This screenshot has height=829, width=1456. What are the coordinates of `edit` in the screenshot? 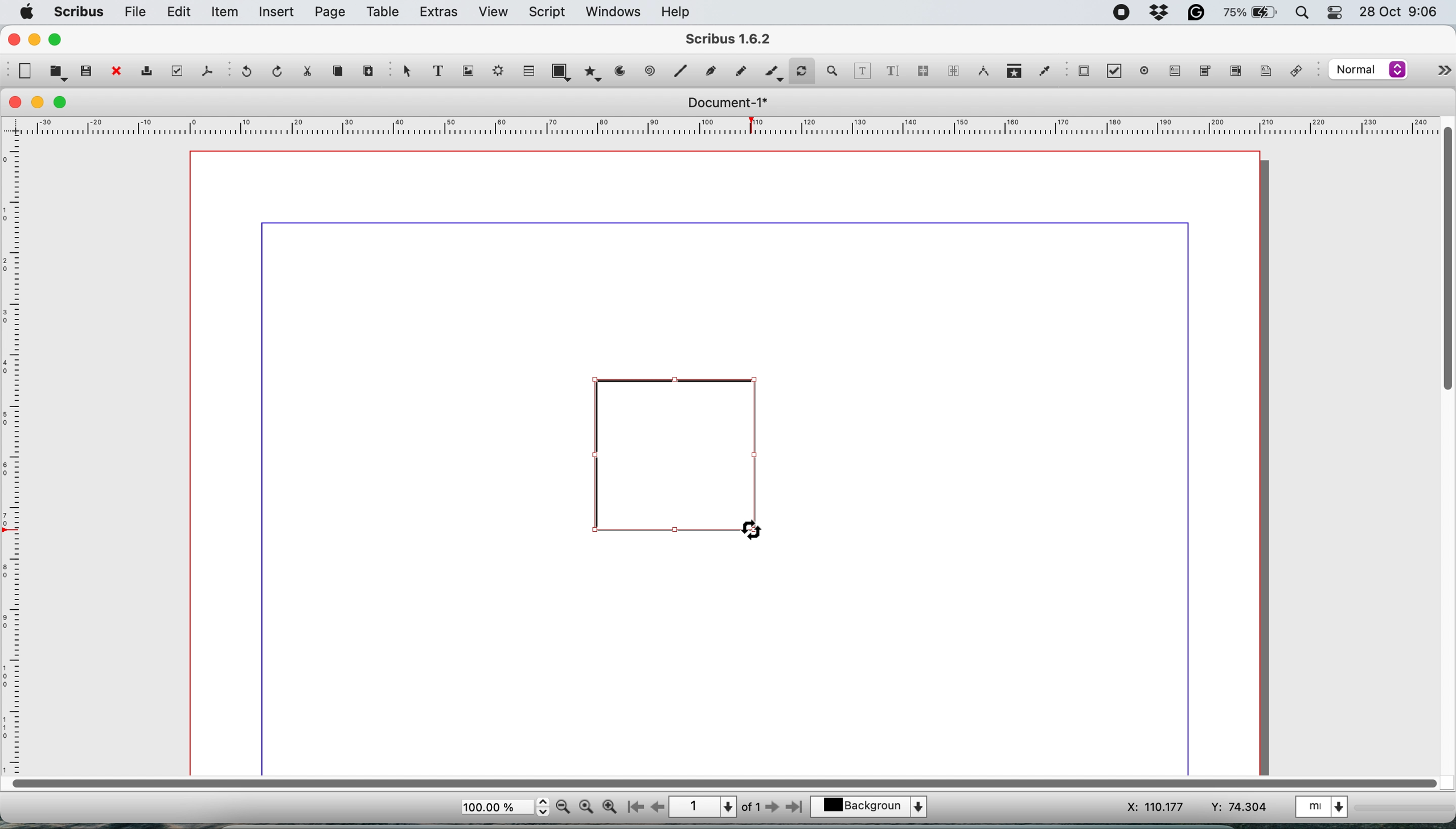 It's located at (181, 13).